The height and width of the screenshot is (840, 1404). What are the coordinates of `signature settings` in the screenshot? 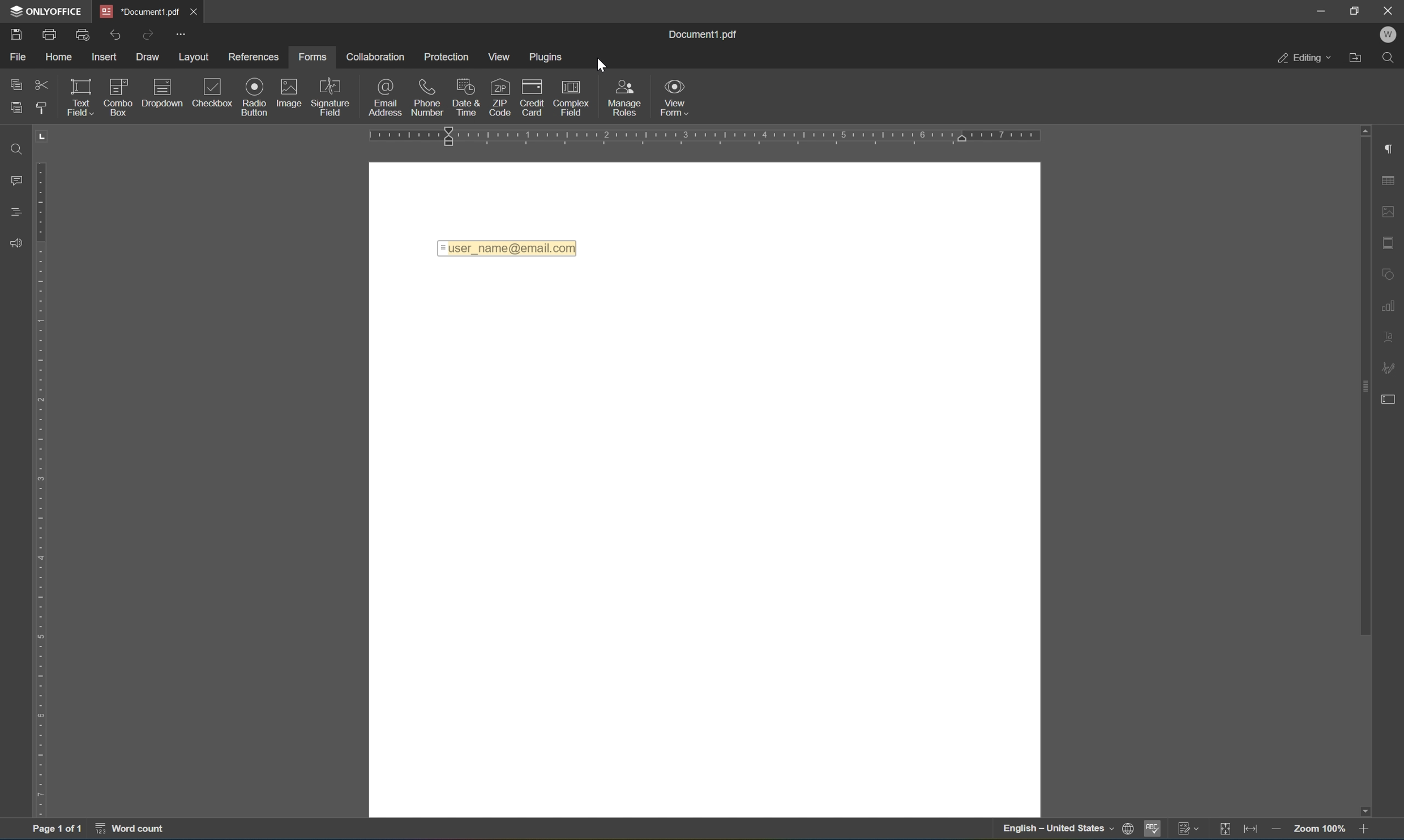 It's located at (1393, 370).